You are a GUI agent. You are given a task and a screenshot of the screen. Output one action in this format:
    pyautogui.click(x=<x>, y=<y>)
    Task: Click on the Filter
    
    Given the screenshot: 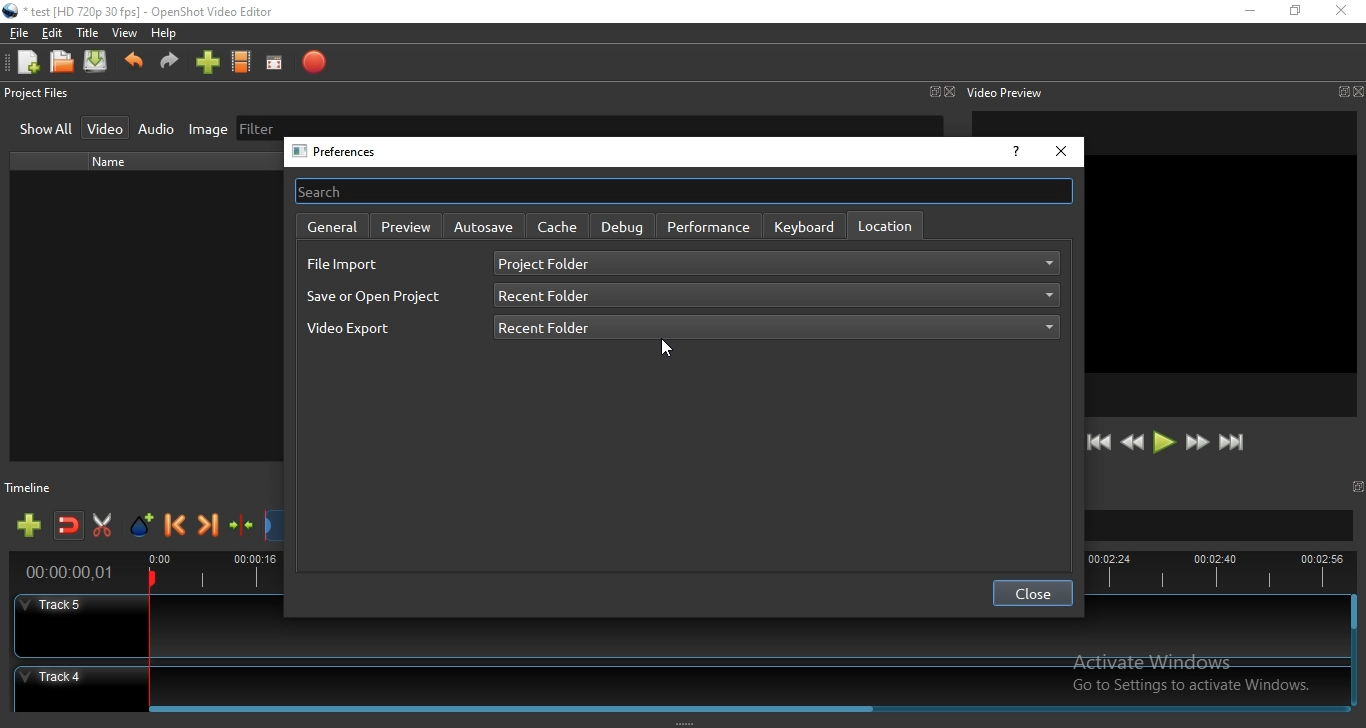 What is the action you would take?
    pyautogui.click(x=589, y=125)
    